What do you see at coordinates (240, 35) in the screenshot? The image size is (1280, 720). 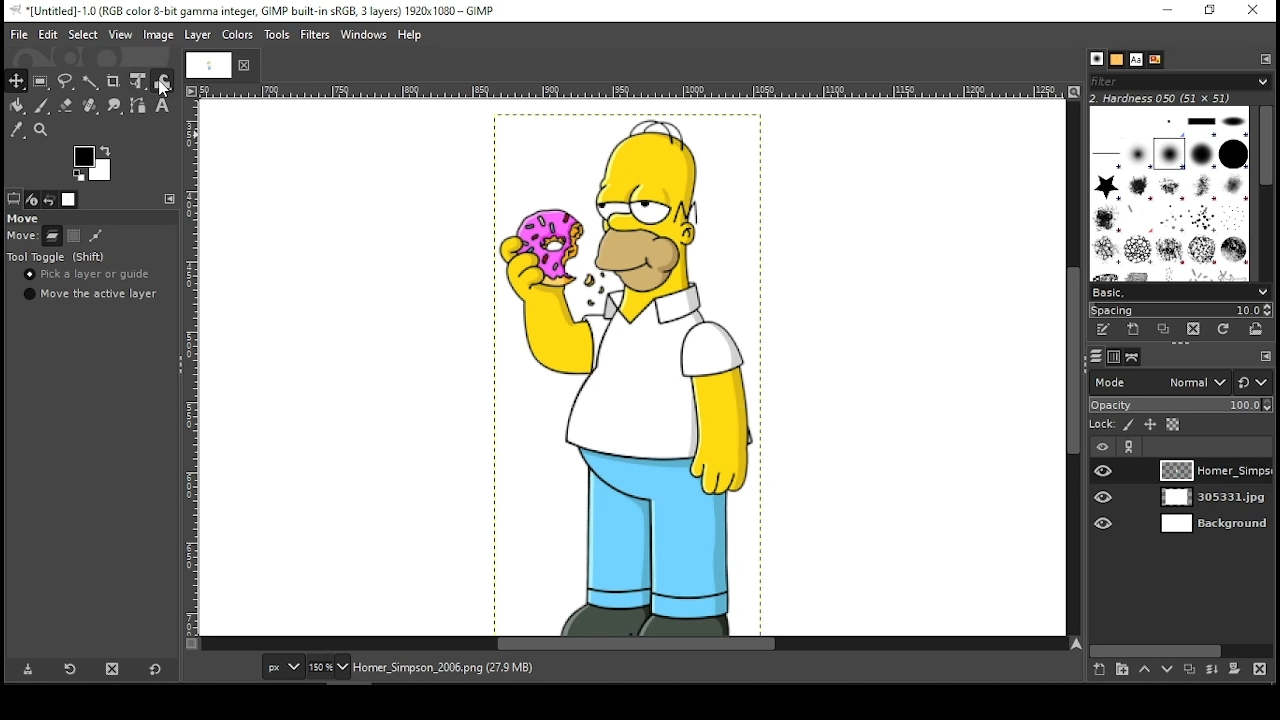 I see `colors` at bounding box center [240, 35].